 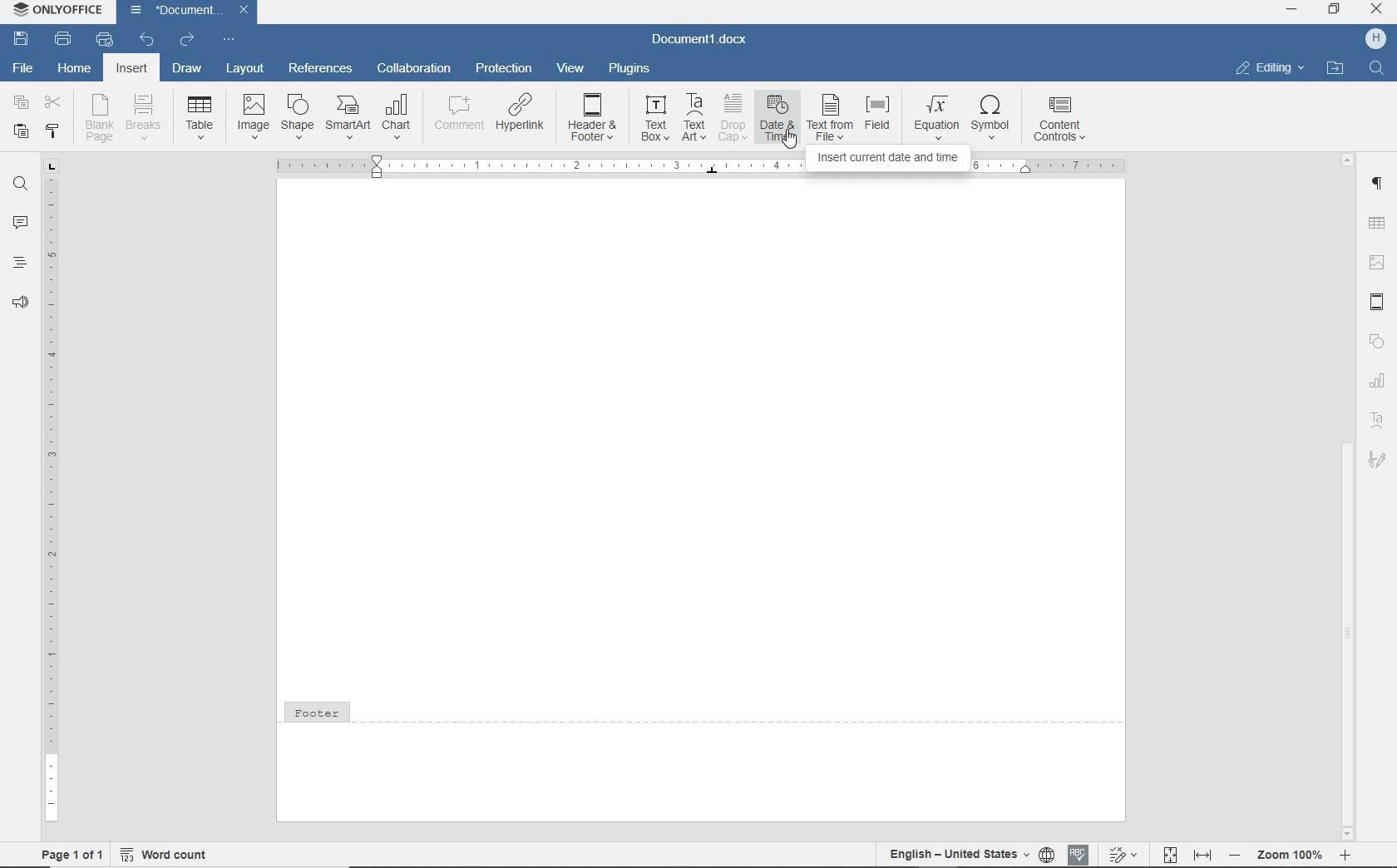 What do you see at coordinates (594, 118) in the screenshot?
I see `header & footer` at bounding box center [594, 118].